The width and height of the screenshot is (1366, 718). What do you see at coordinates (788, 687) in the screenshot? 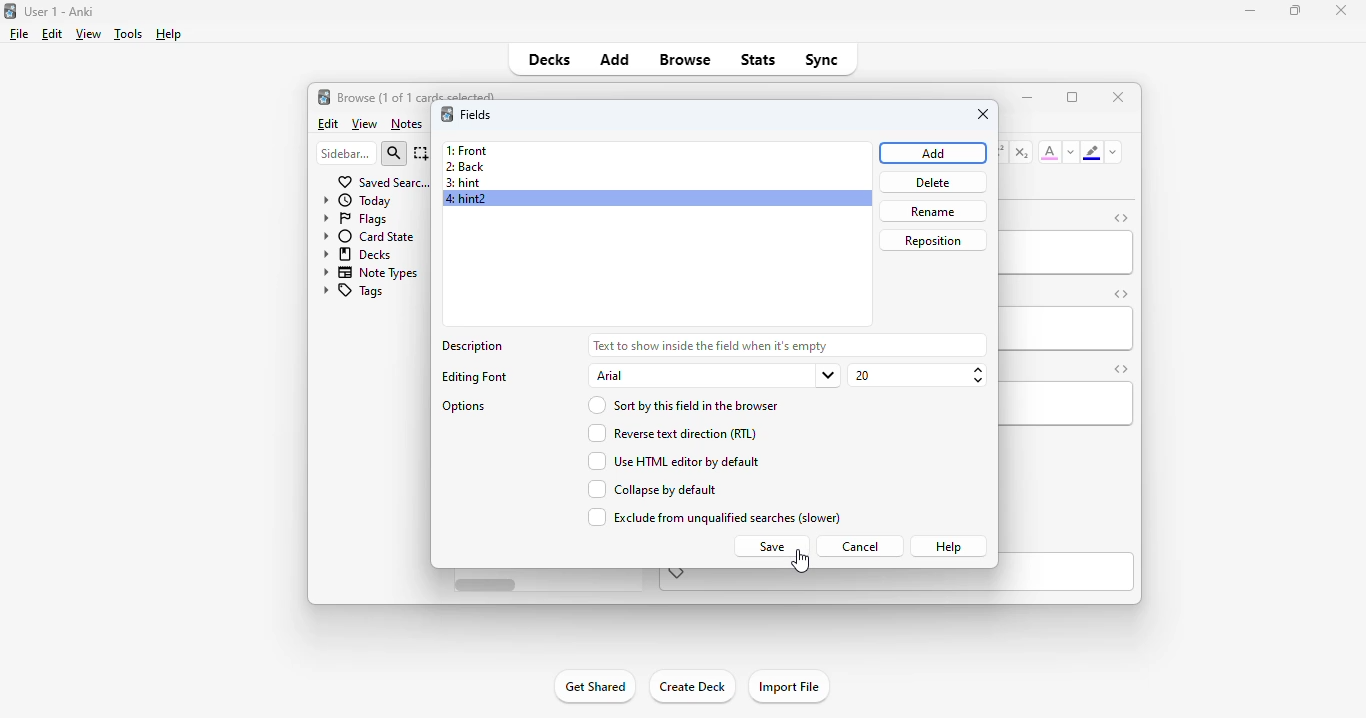
I see `import file` at bounding box center [788, 687].